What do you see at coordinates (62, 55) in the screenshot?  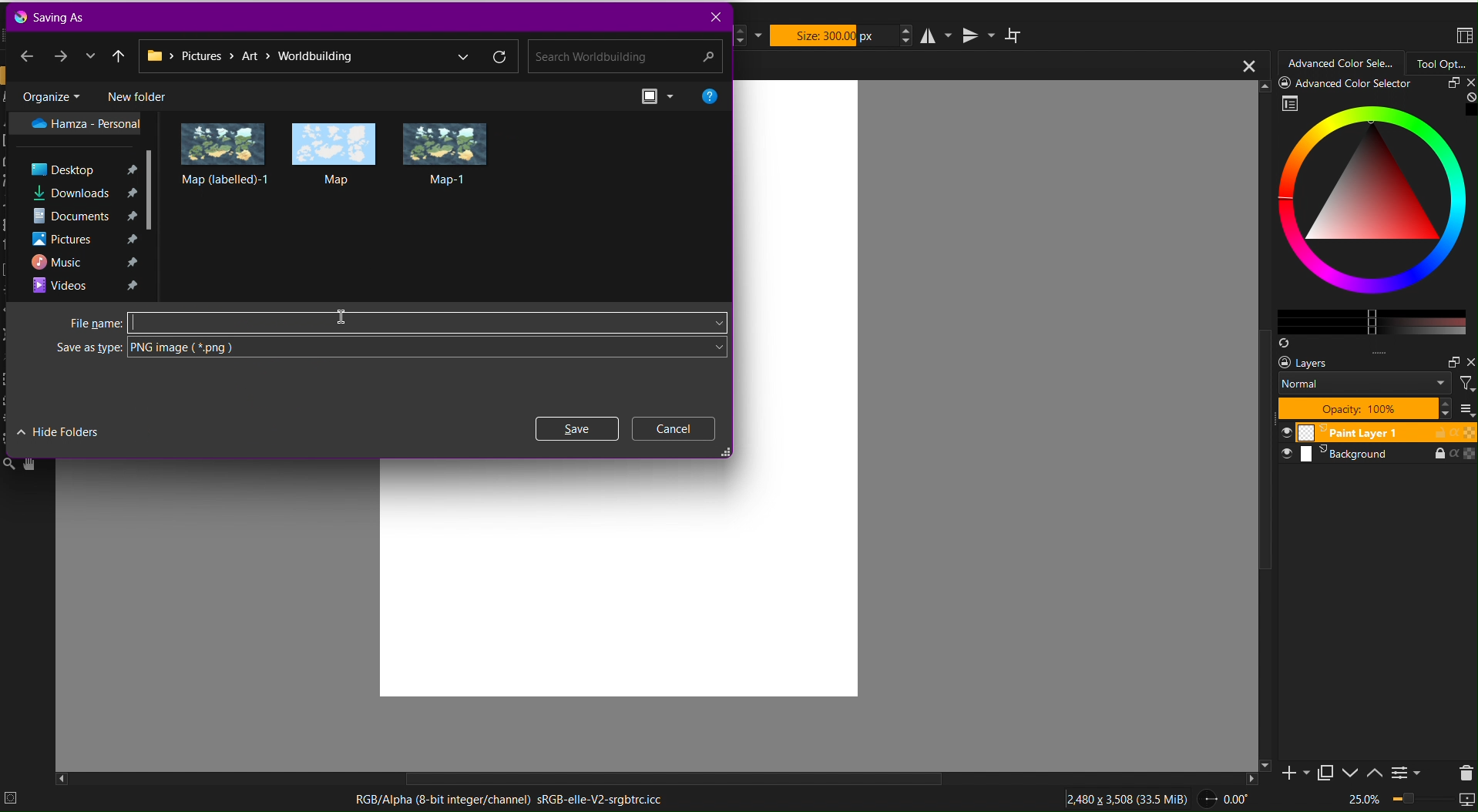 I see `Next` at bounding box center [62, 55].